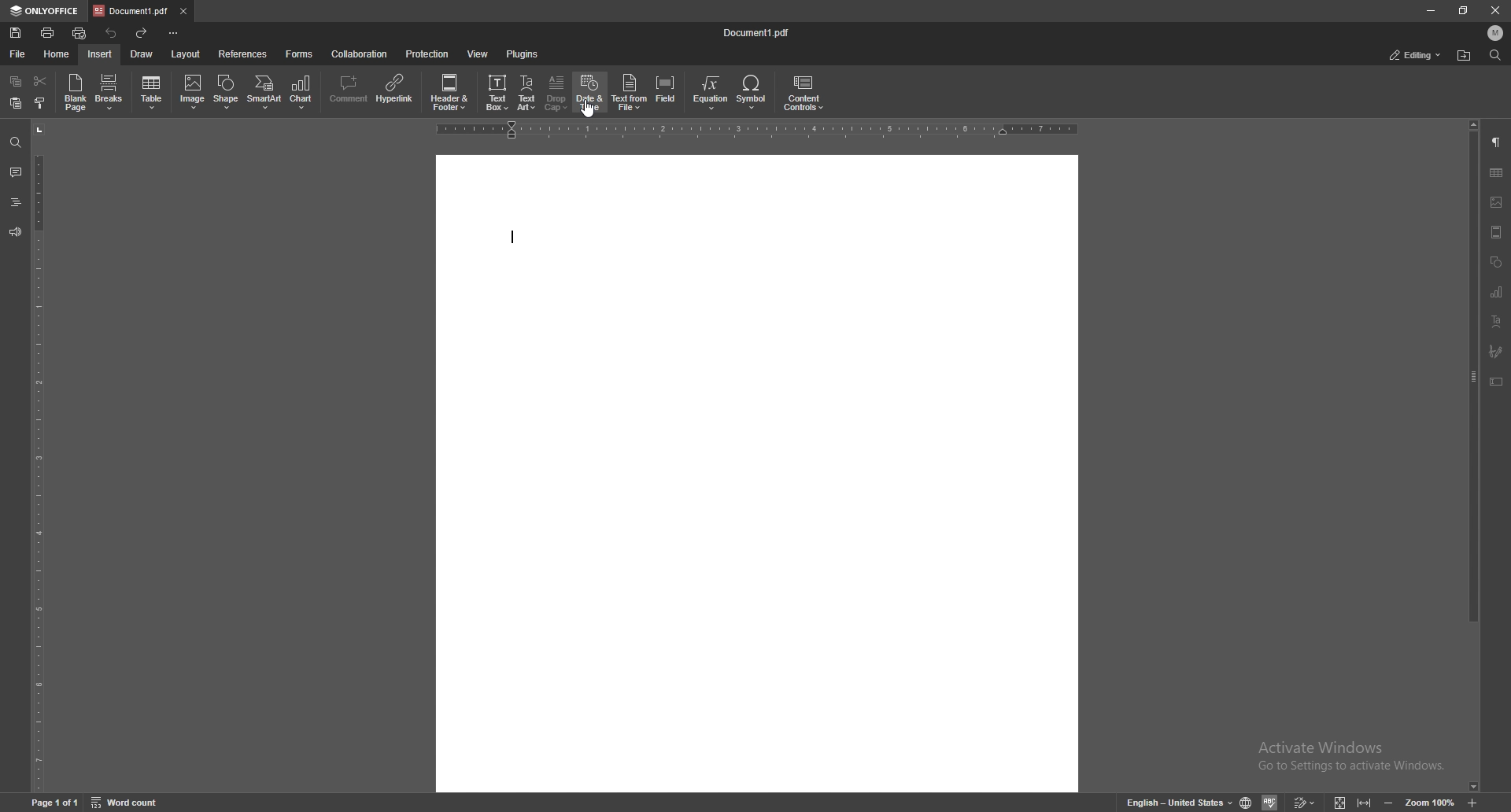 The height and width of the screenshot is (812, 1511). What do you see at coordinates (299, 54) in the screenshot?
I see `forms` at bounding box center [299, 54].